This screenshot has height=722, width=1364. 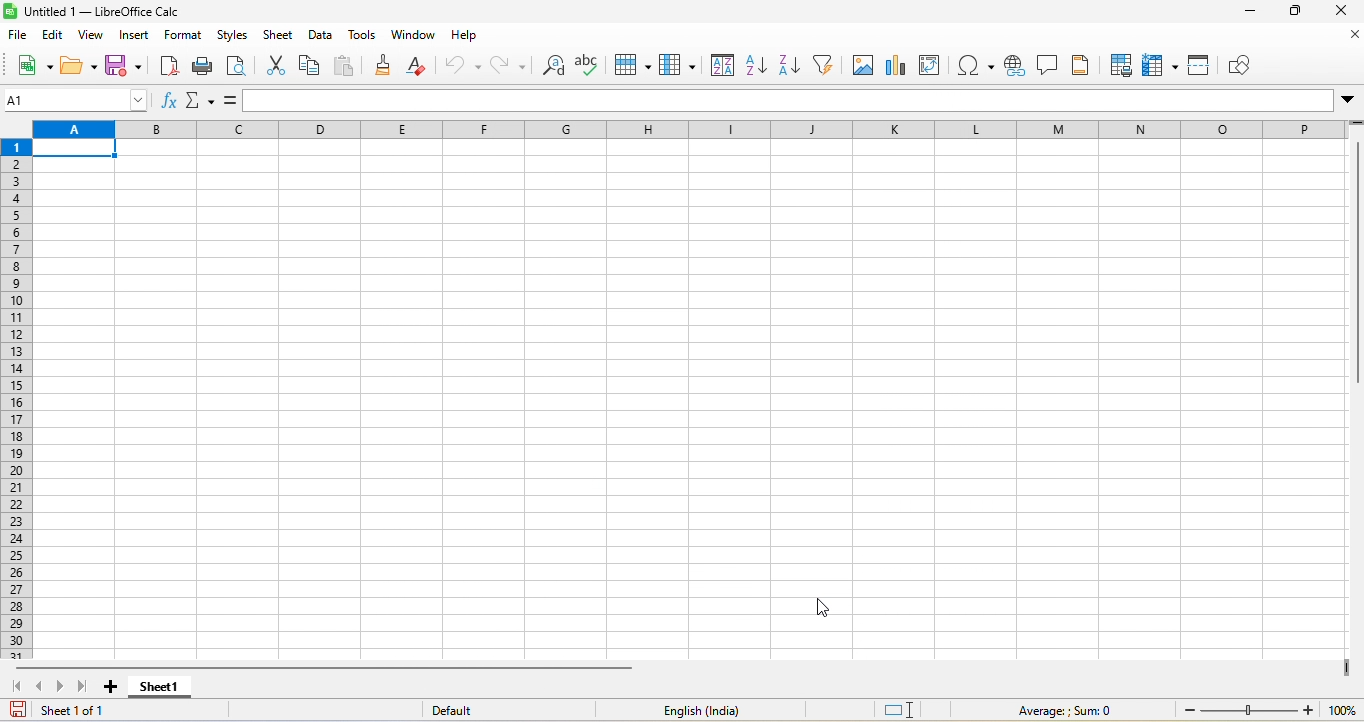 What do you see at coordinates (1119, 65) in the screenshot?
I see `print area` at bounding box center [1119, 65].